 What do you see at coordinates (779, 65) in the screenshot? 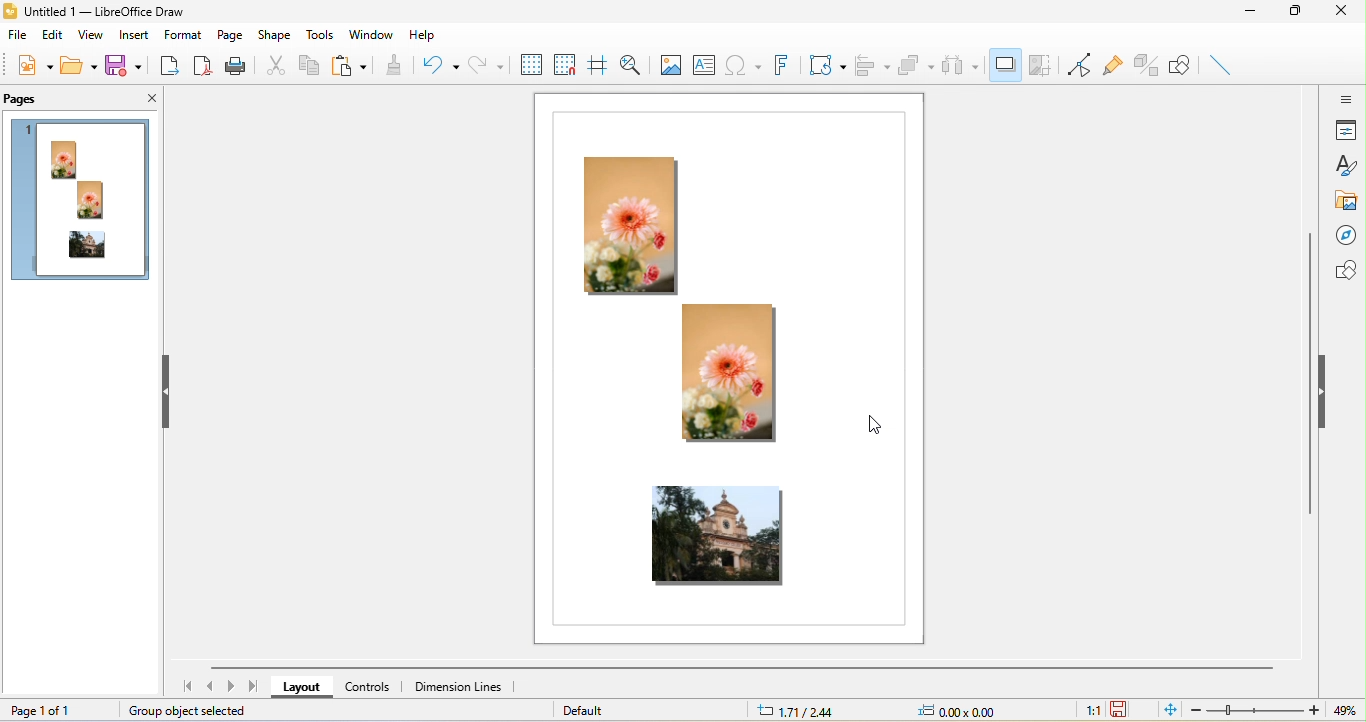
I see `font work text` at bounding box center [779, 65].